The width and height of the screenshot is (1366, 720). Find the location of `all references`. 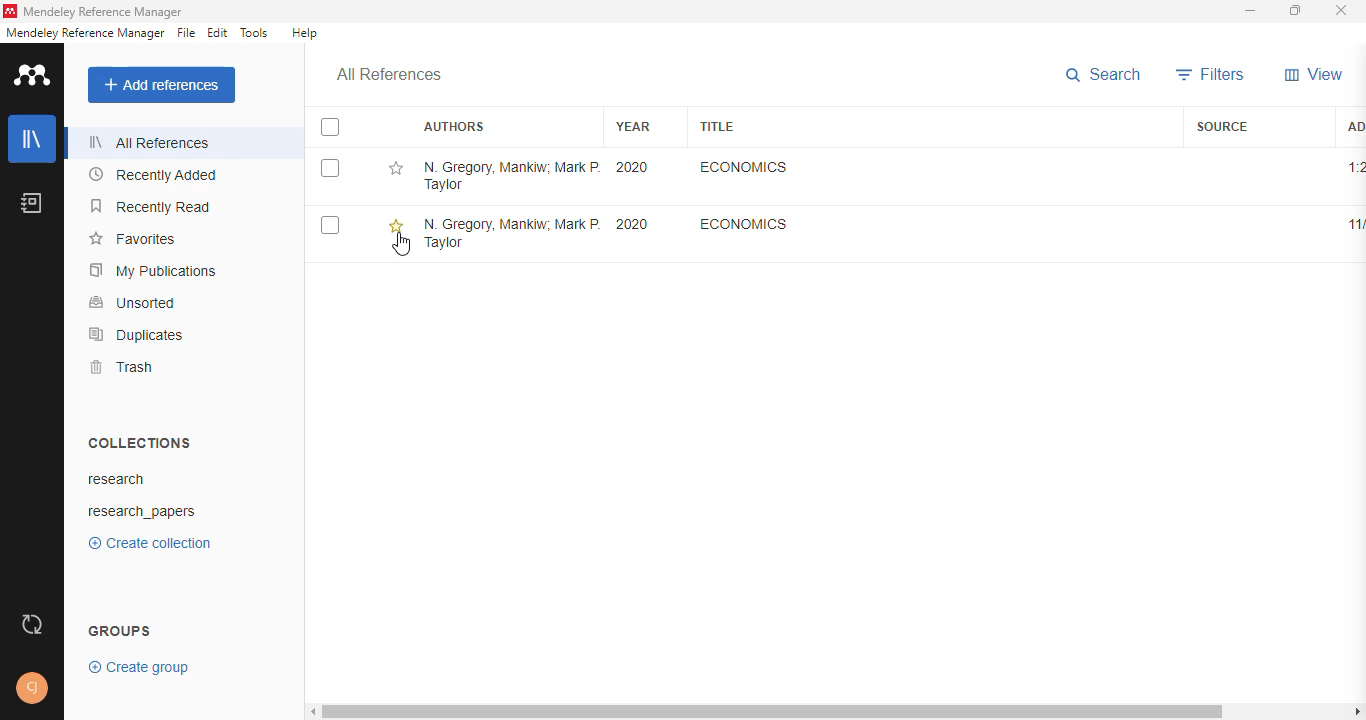

all references is located at coordinates (388, 74).